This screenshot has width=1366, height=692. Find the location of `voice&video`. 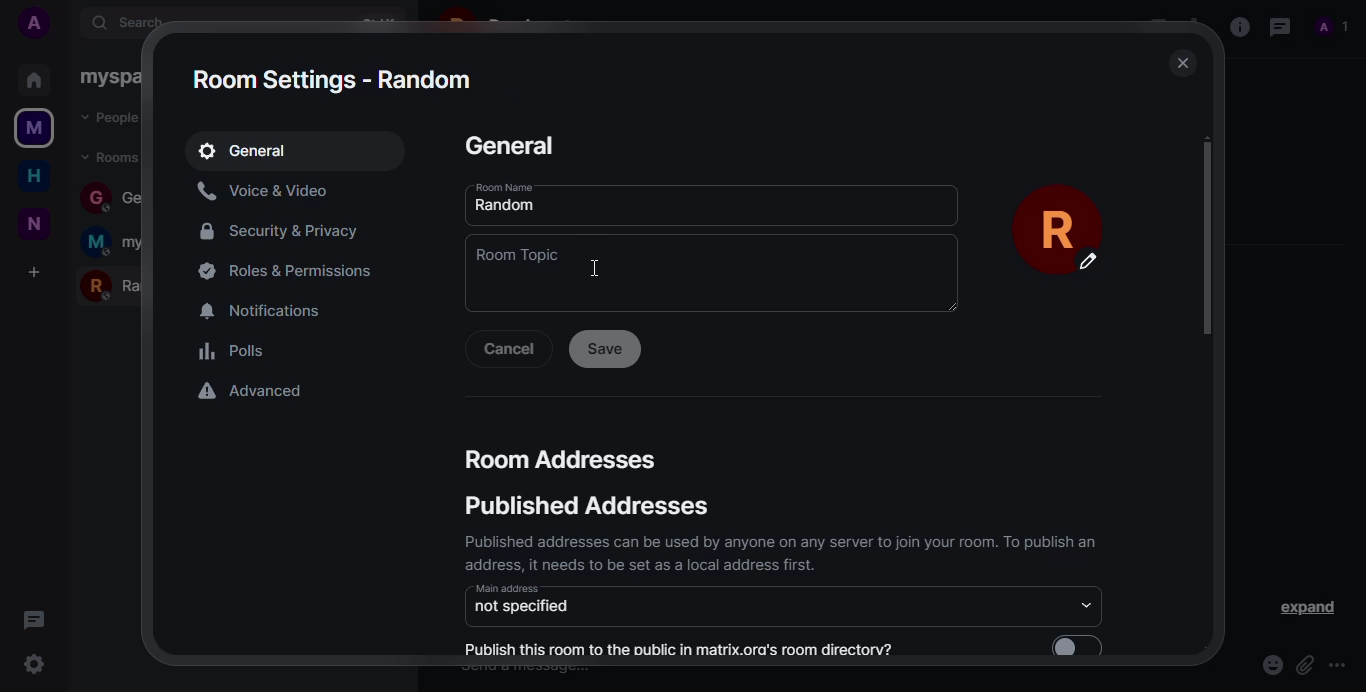

voice&video is located at coordinates (268, 190).